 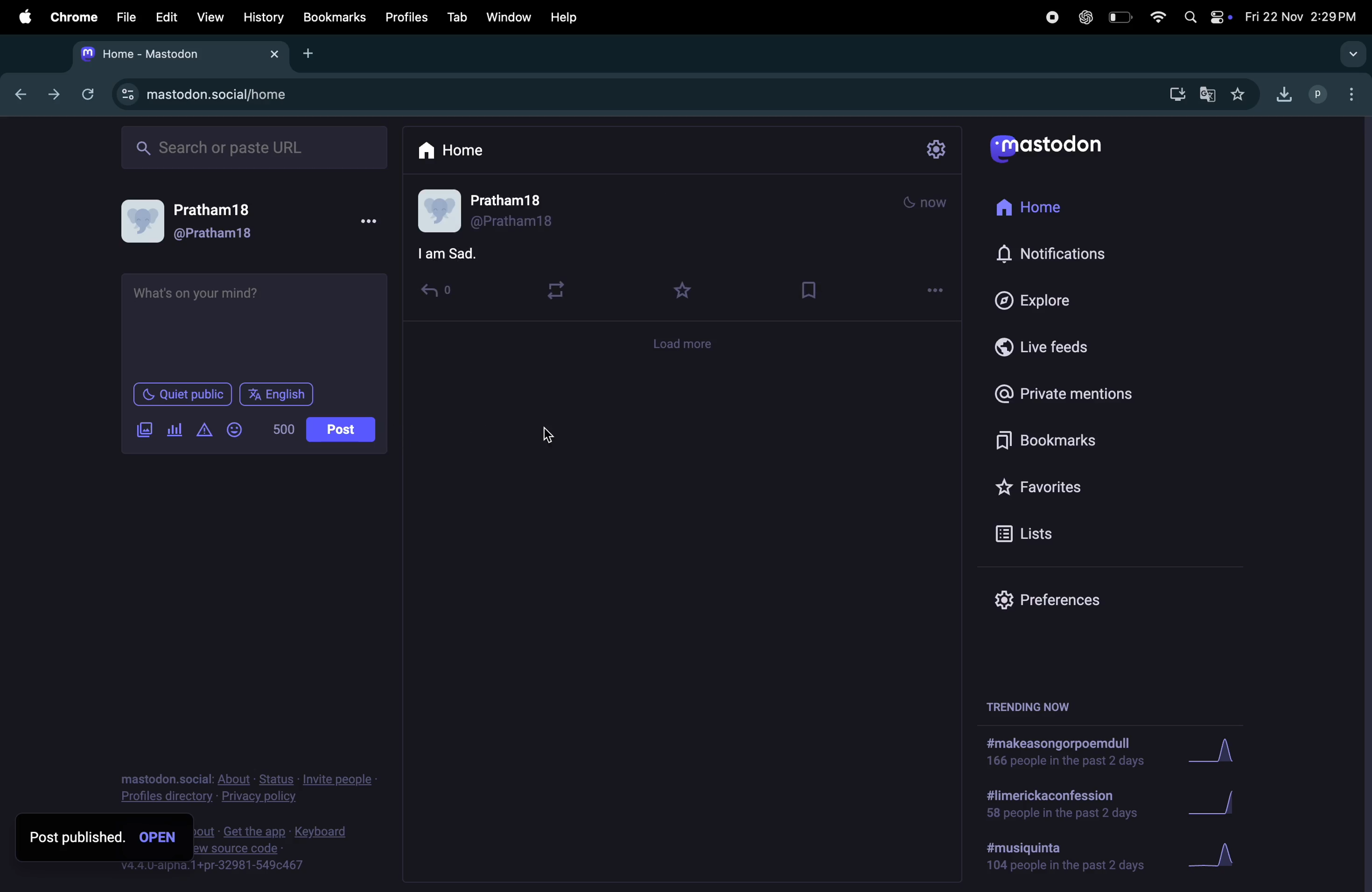 What do you see at coordinates (1083, 394) in the screenshot?
I see `private mentions` at bounding box center [1083, 394].